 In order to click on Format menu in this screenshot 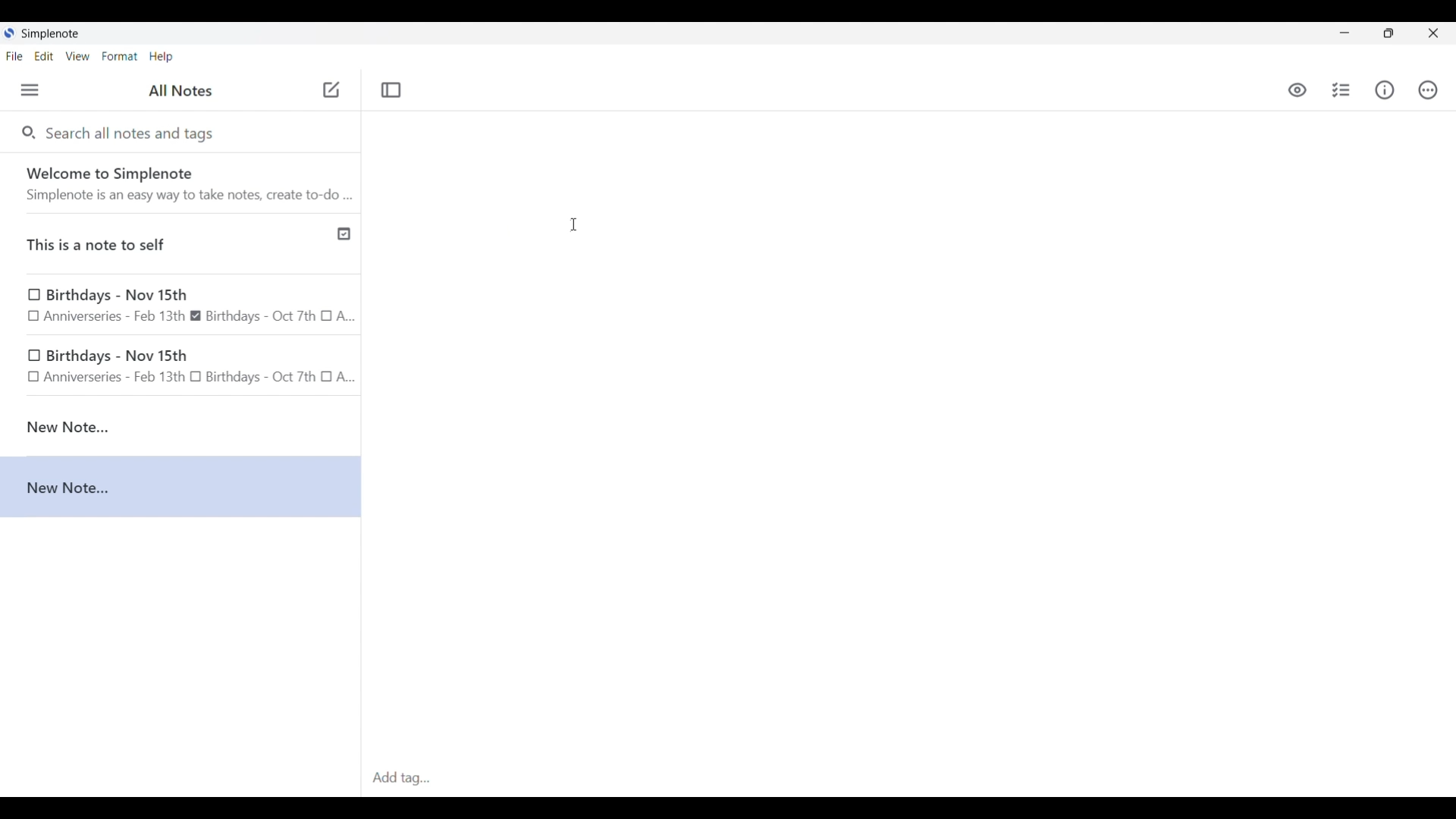, I will do `click(120, 56)`.